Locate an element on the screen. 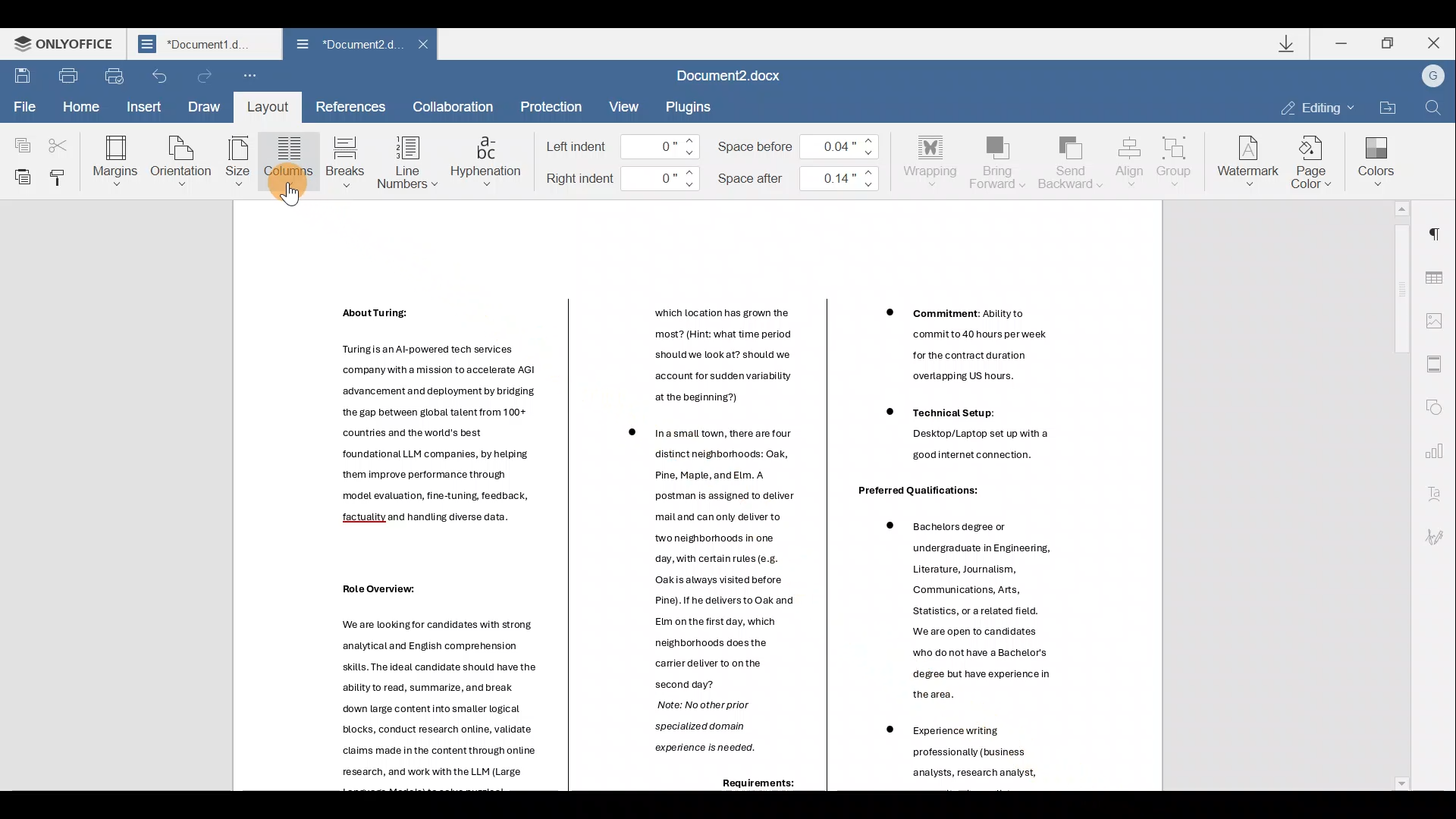 This screenshot has height=819, width=1456. References is located at coordinates (352, 106).